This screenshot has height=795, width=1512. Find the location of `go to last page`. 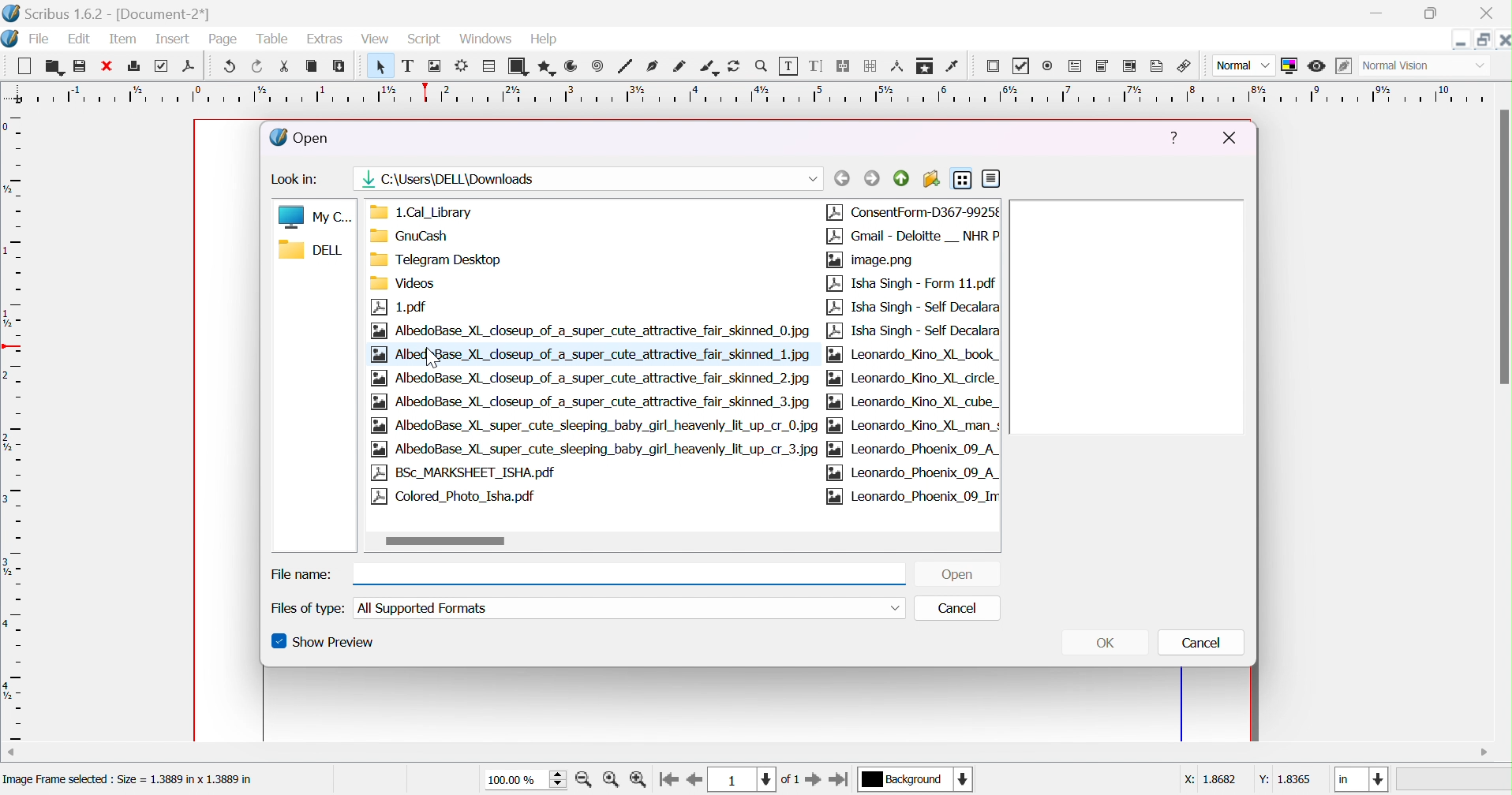

go to last page is located at coordinates (840, 779).